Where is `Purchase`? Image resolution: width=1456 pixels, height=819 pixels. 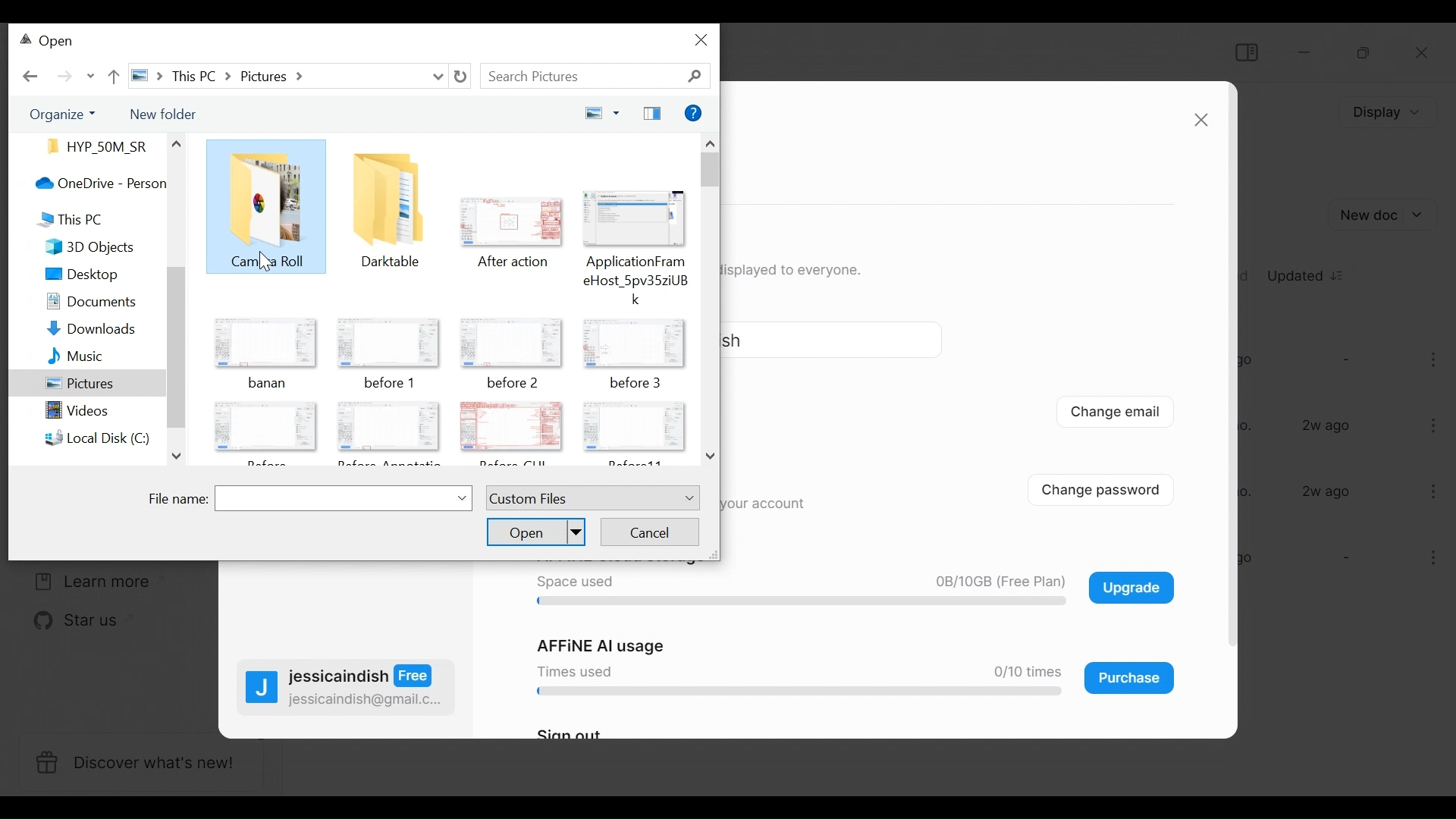
Purchase is located at coordinates (1130, 678).